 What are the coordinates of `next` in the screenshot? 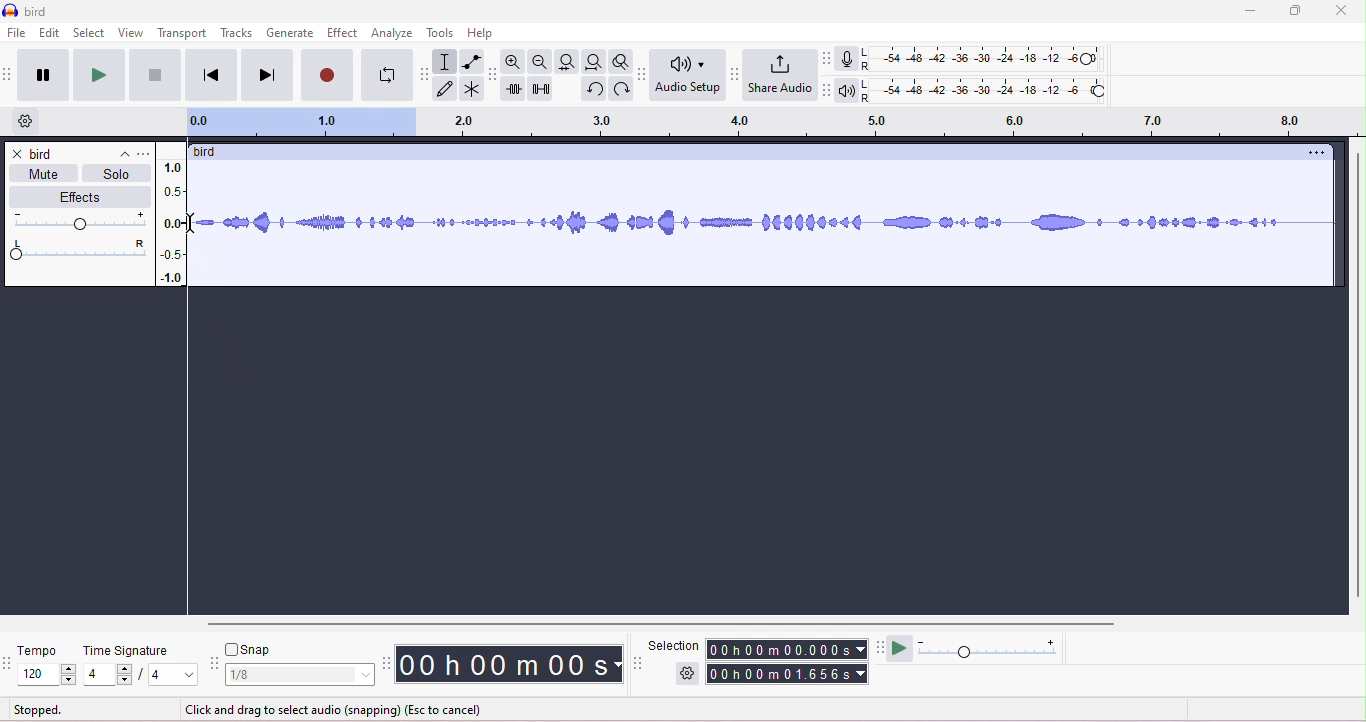 It's located at (268, 75).